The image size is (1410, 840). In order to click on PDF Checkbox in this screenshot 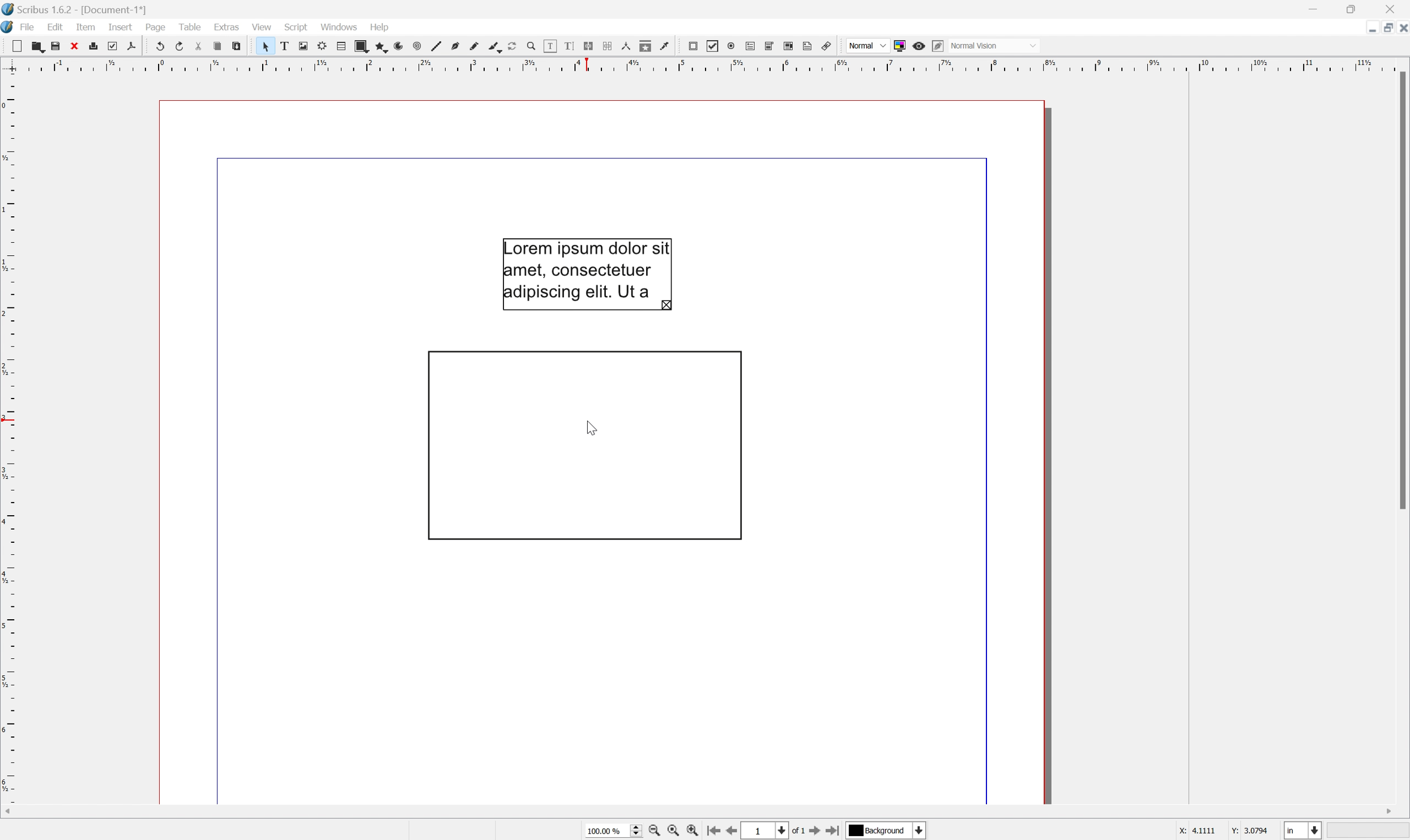, I will do `click(713, 46)`.